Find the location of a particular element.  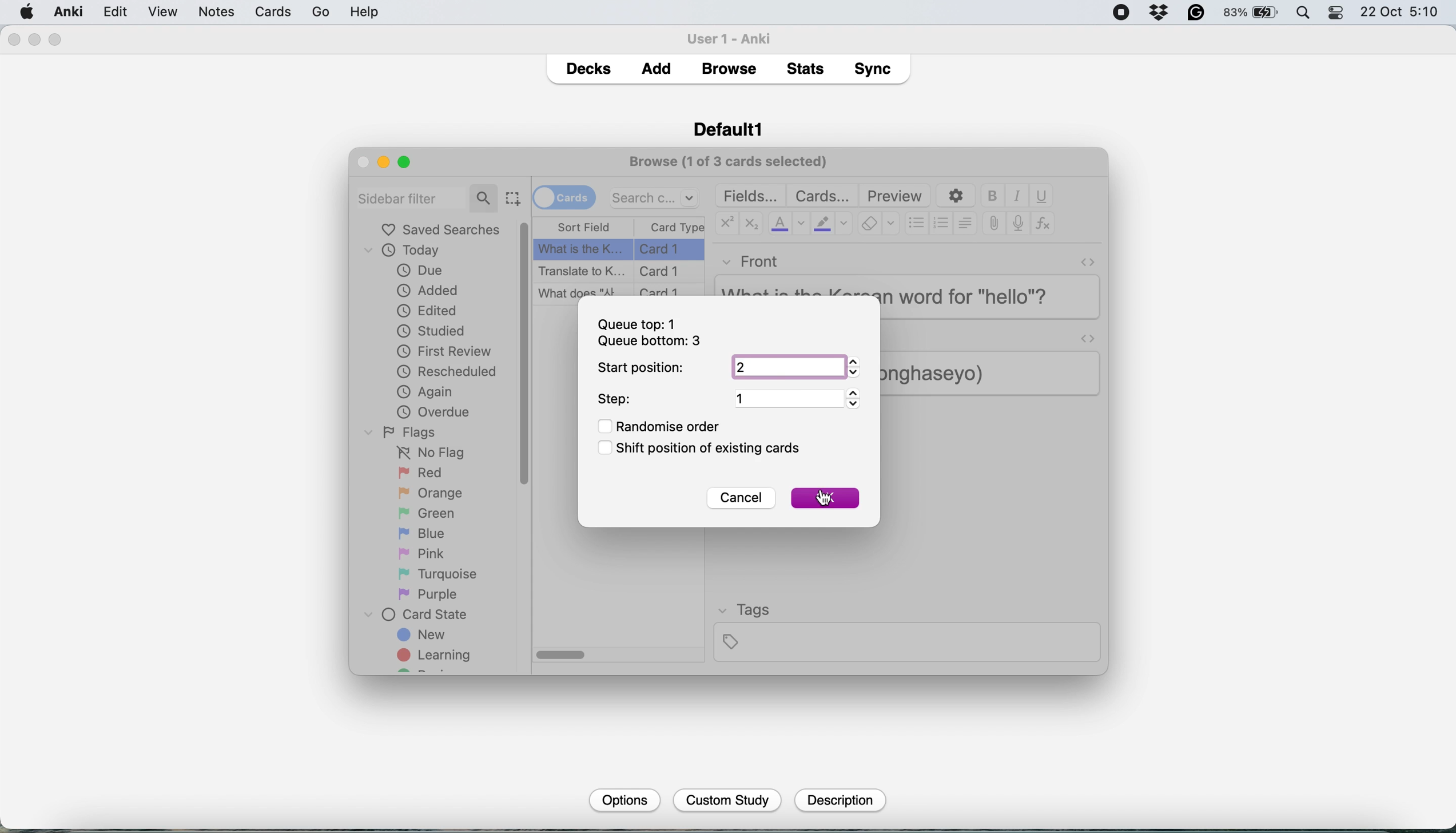

cards is located at coordinates (822, 196).